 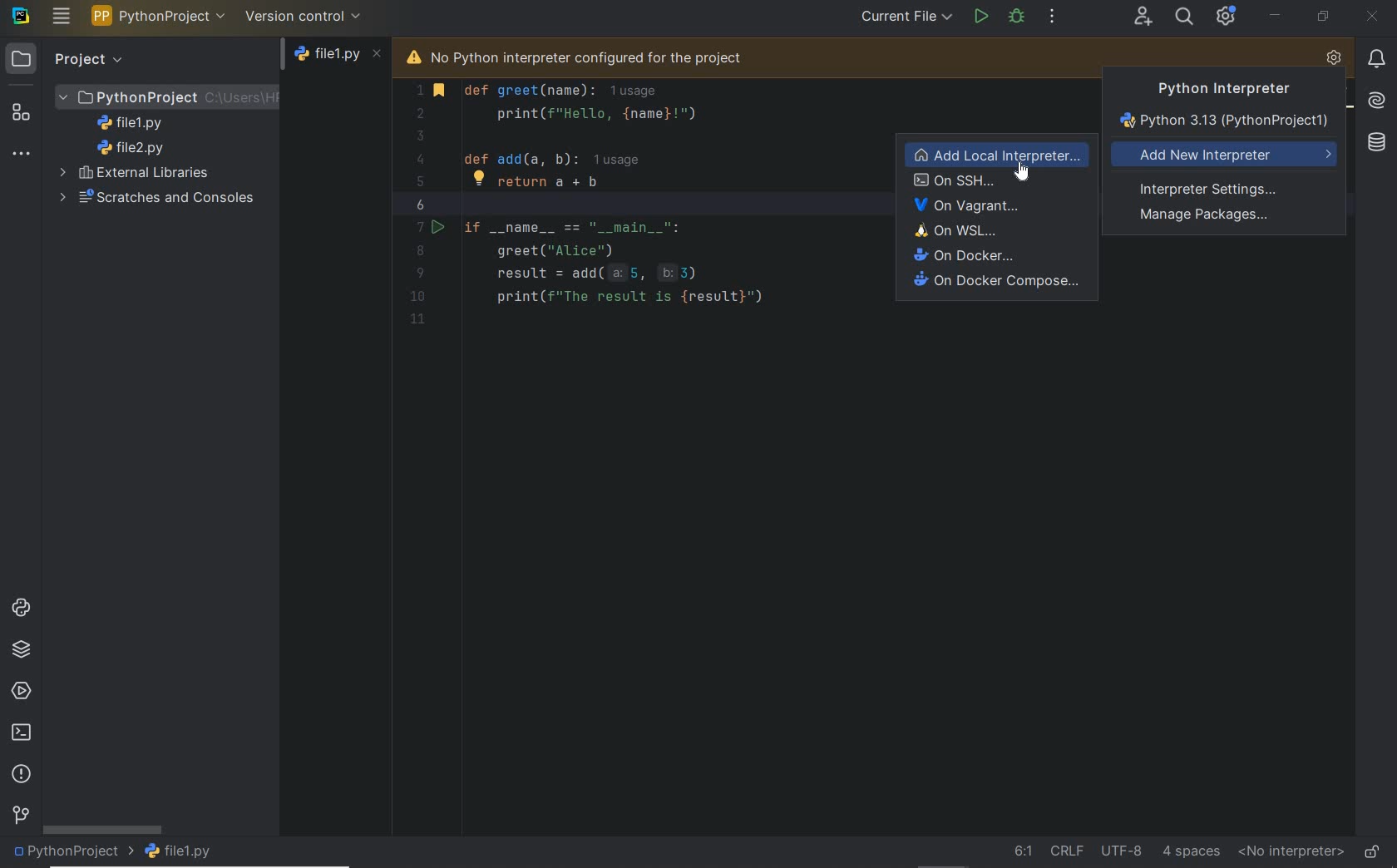 I want to click on RESTORE DOWN, so click(x=1322, y=16).